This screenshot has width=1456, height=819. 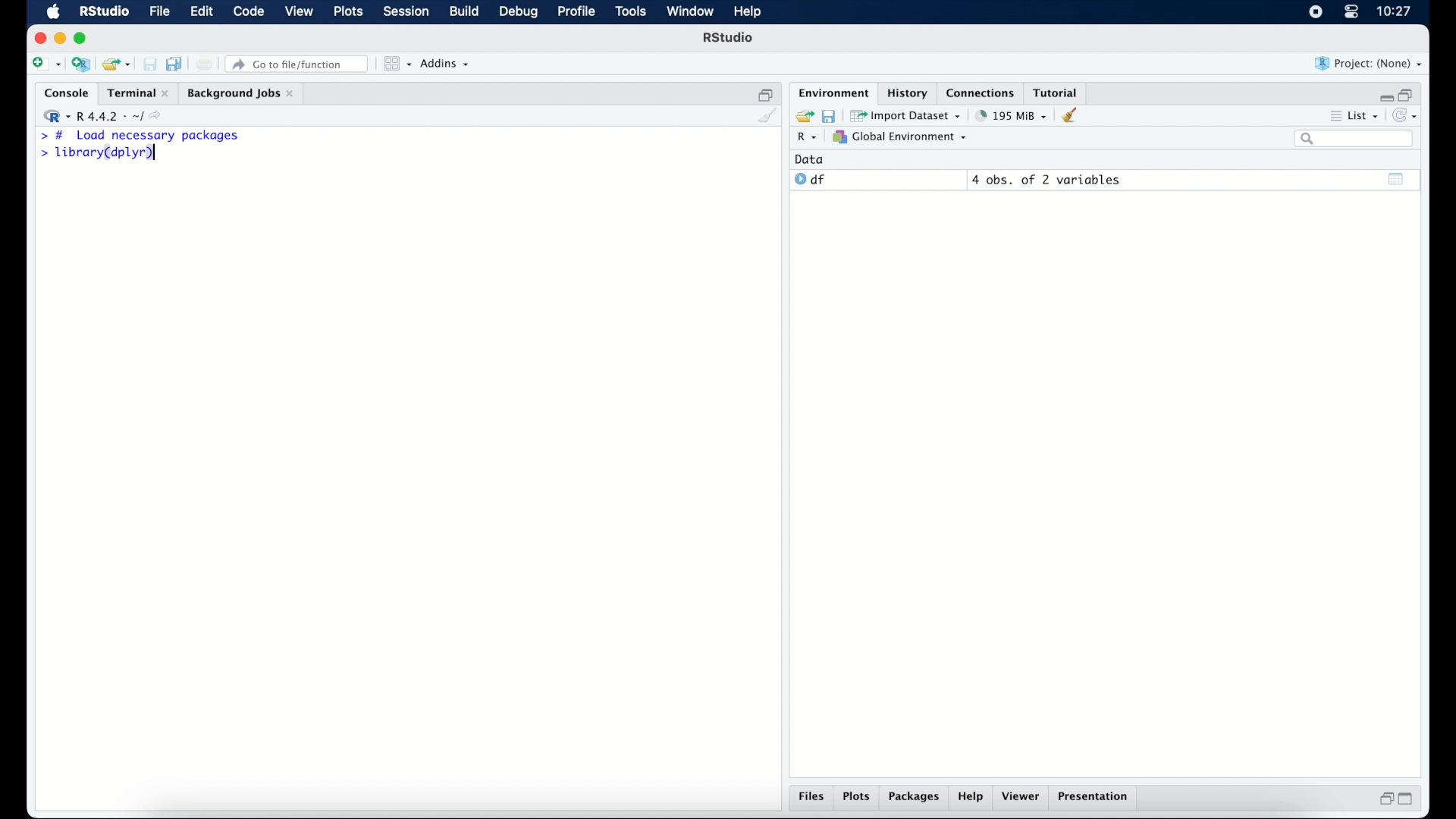 I want to click on R Studio, so click(x=730, y=39).